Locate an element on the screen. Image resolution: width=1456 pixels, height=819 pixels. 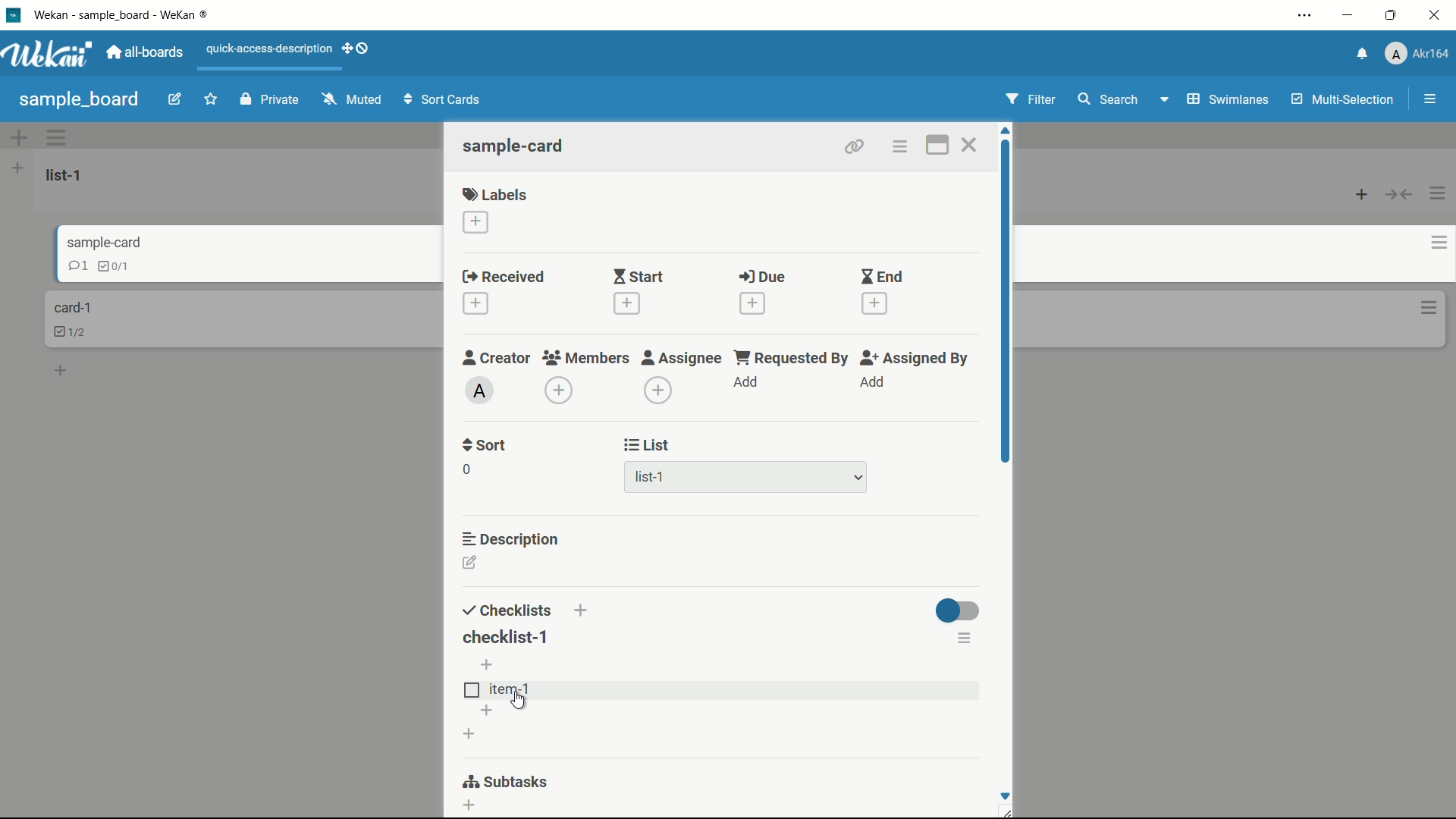
add label is located at coordinates (476, 222).